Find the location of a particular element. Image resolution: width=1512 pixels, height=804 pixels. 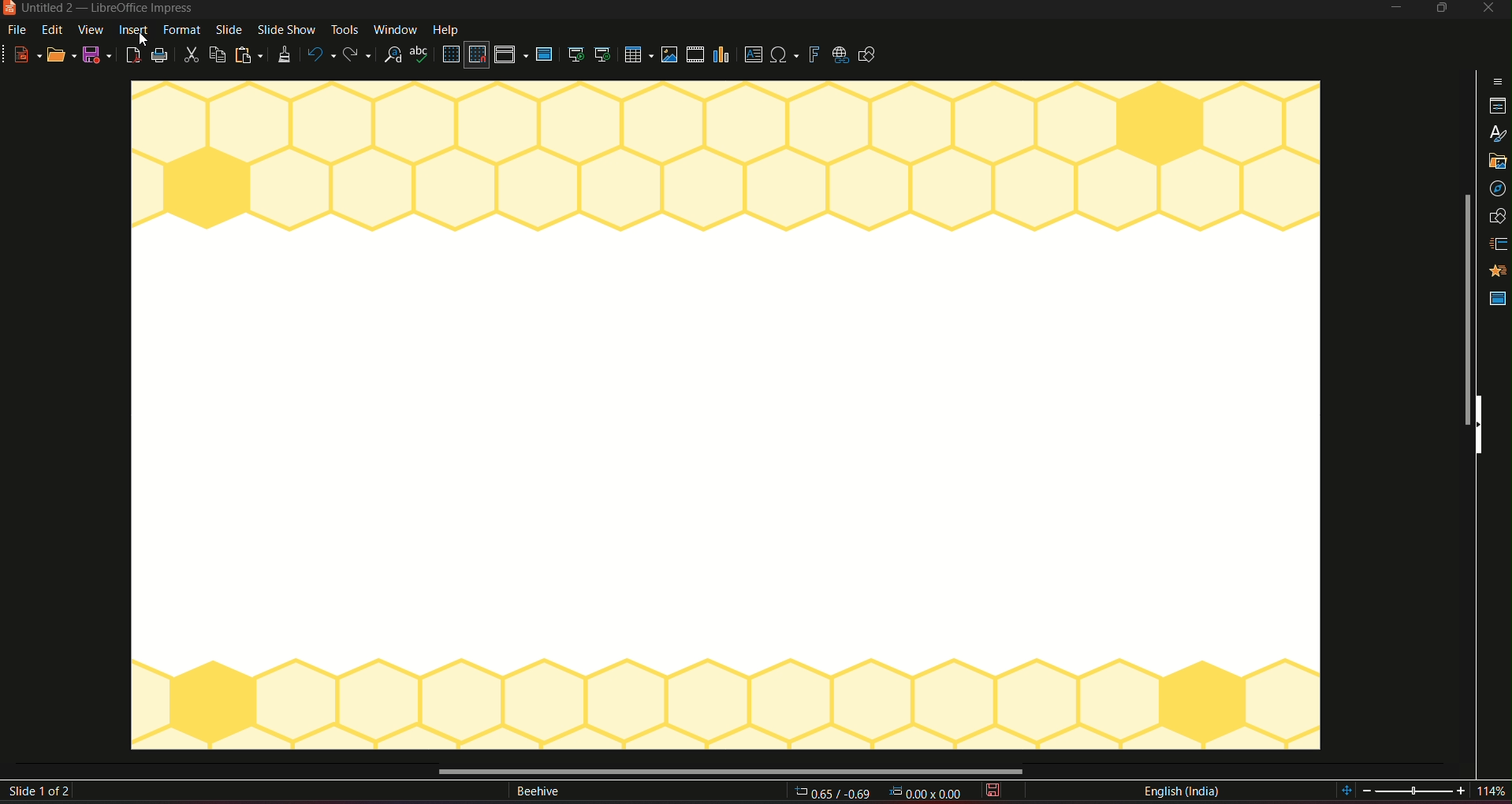

edit zoom is located at coordinates (1416, 791).